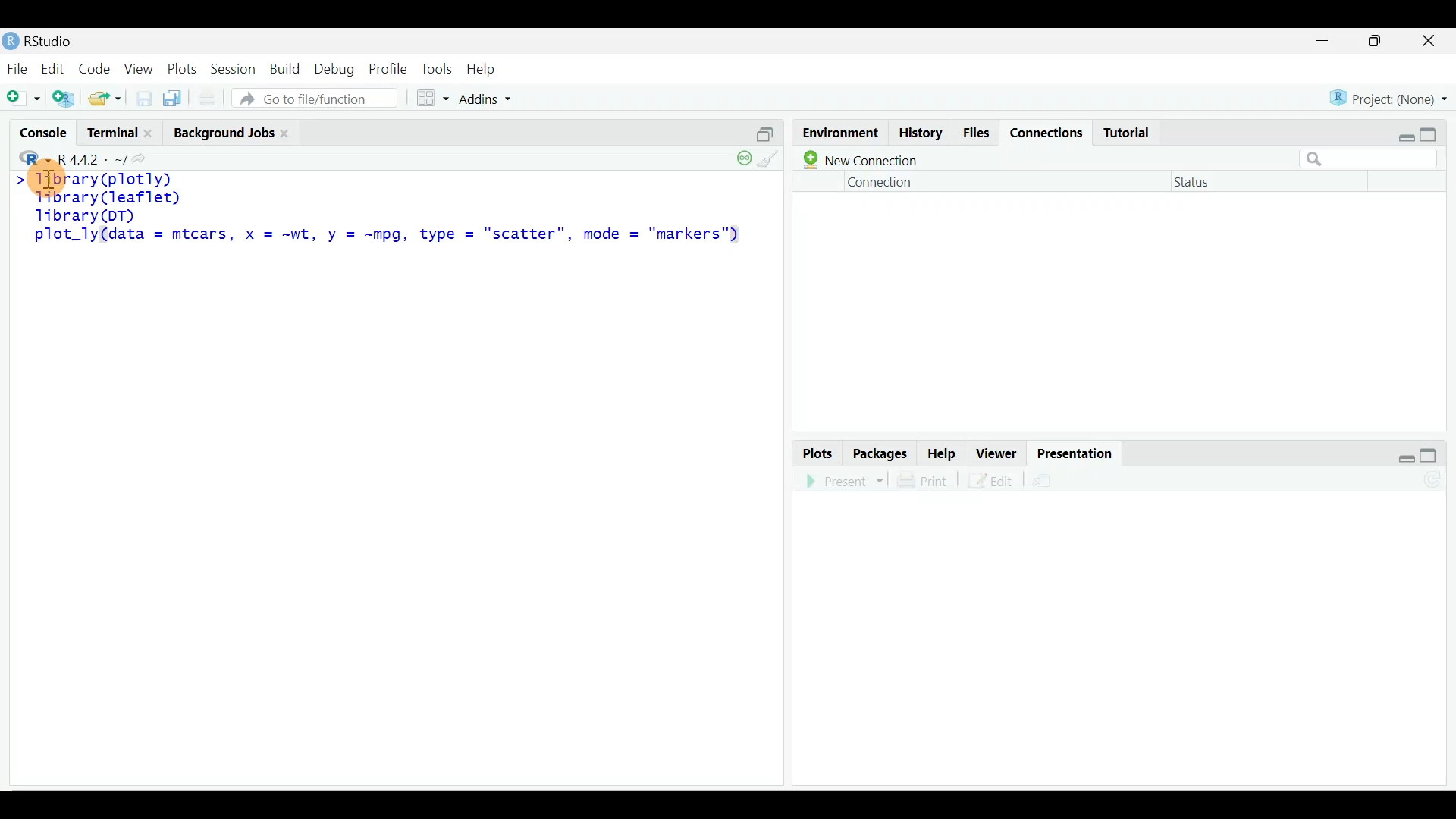 This screenshot has width=1456, height=819. I want to click on File, so click(17, 67).